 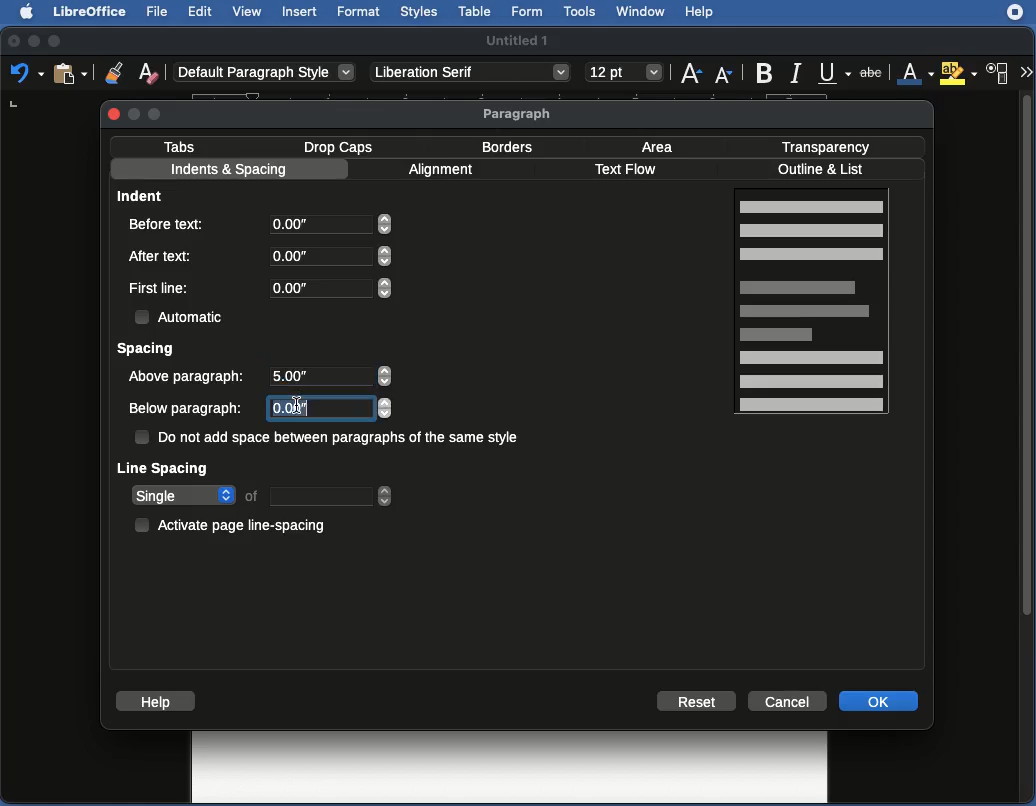 I want to click on Font size decrease, so click(x=726, y=75).